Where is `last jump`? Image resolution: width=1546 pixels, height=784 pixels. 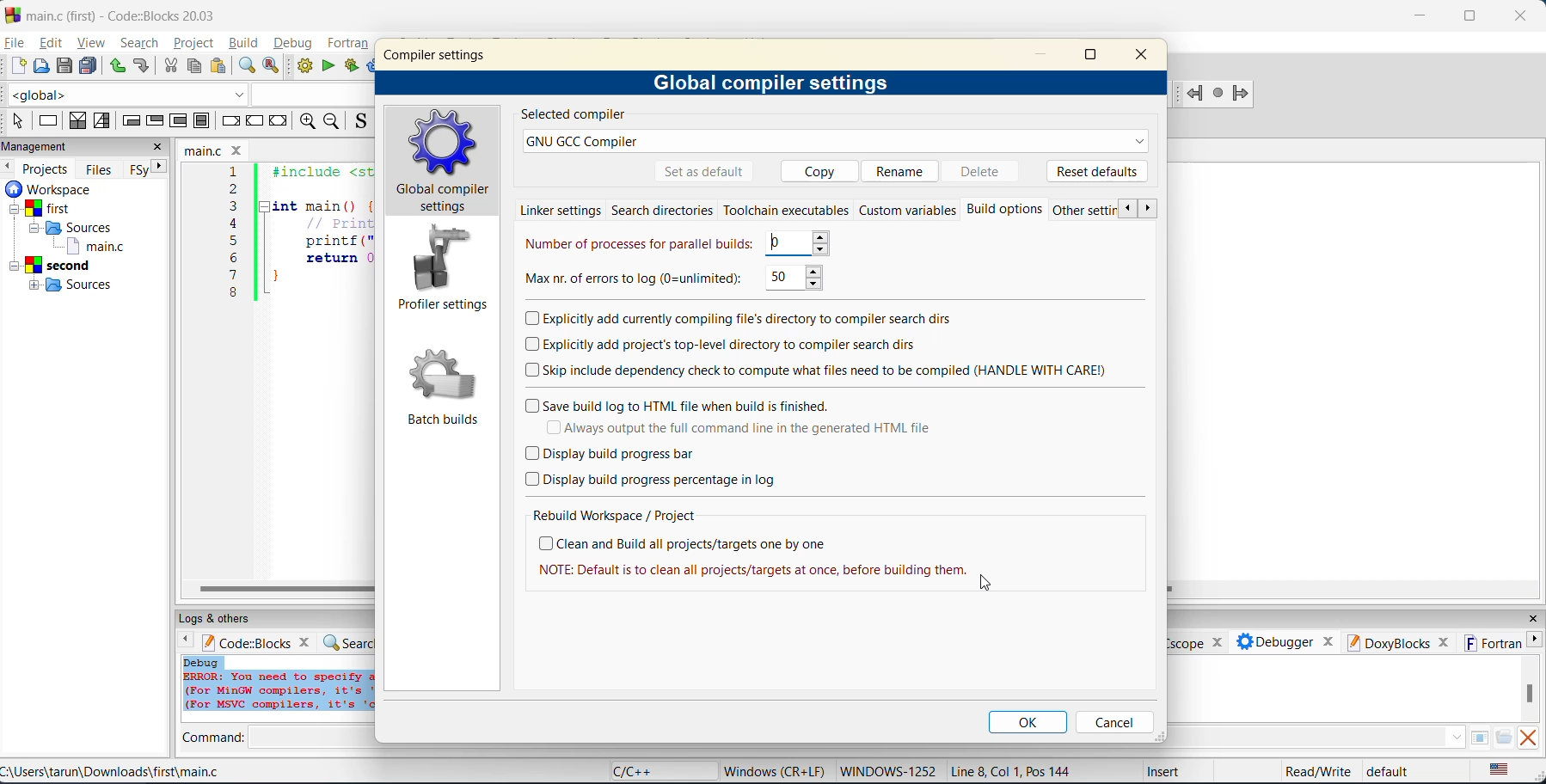
last jump is located at coordinates (1218, 95).